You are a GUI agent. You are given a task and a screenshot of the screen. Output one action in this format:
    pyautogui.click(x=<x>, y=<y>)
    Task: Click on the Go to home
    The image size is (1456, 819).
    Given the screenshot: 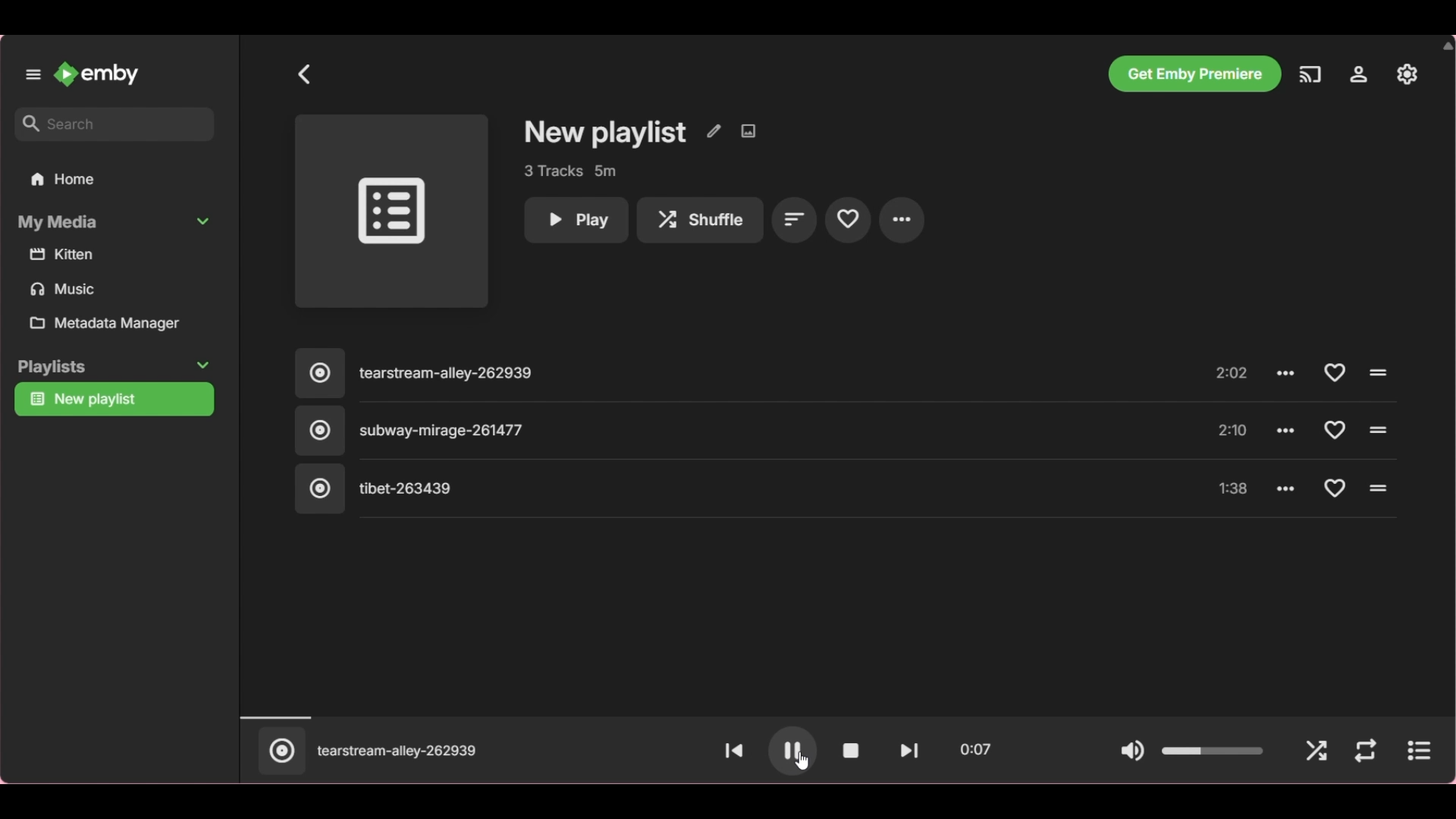 What is the action you would take?
    pyautogui.click(x=115, y=178)
    